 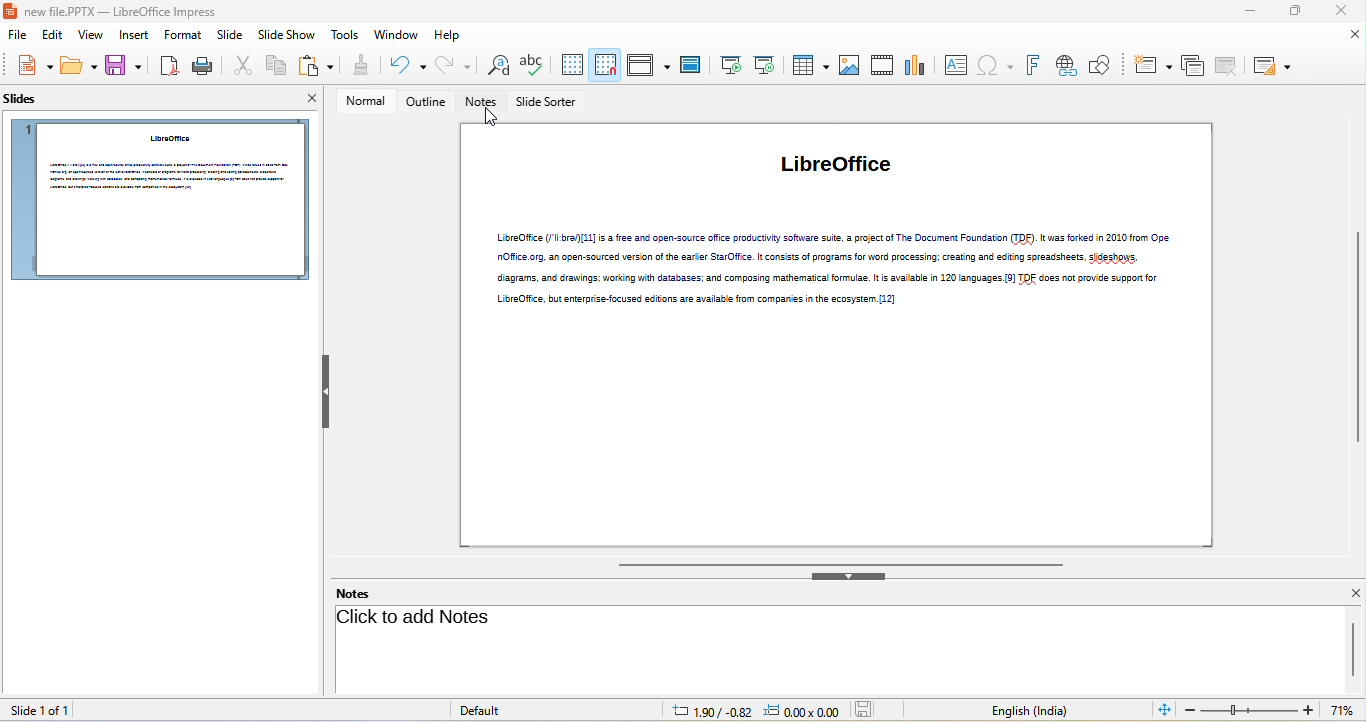 I want to click on audio/video, so click(x=884, y=65).